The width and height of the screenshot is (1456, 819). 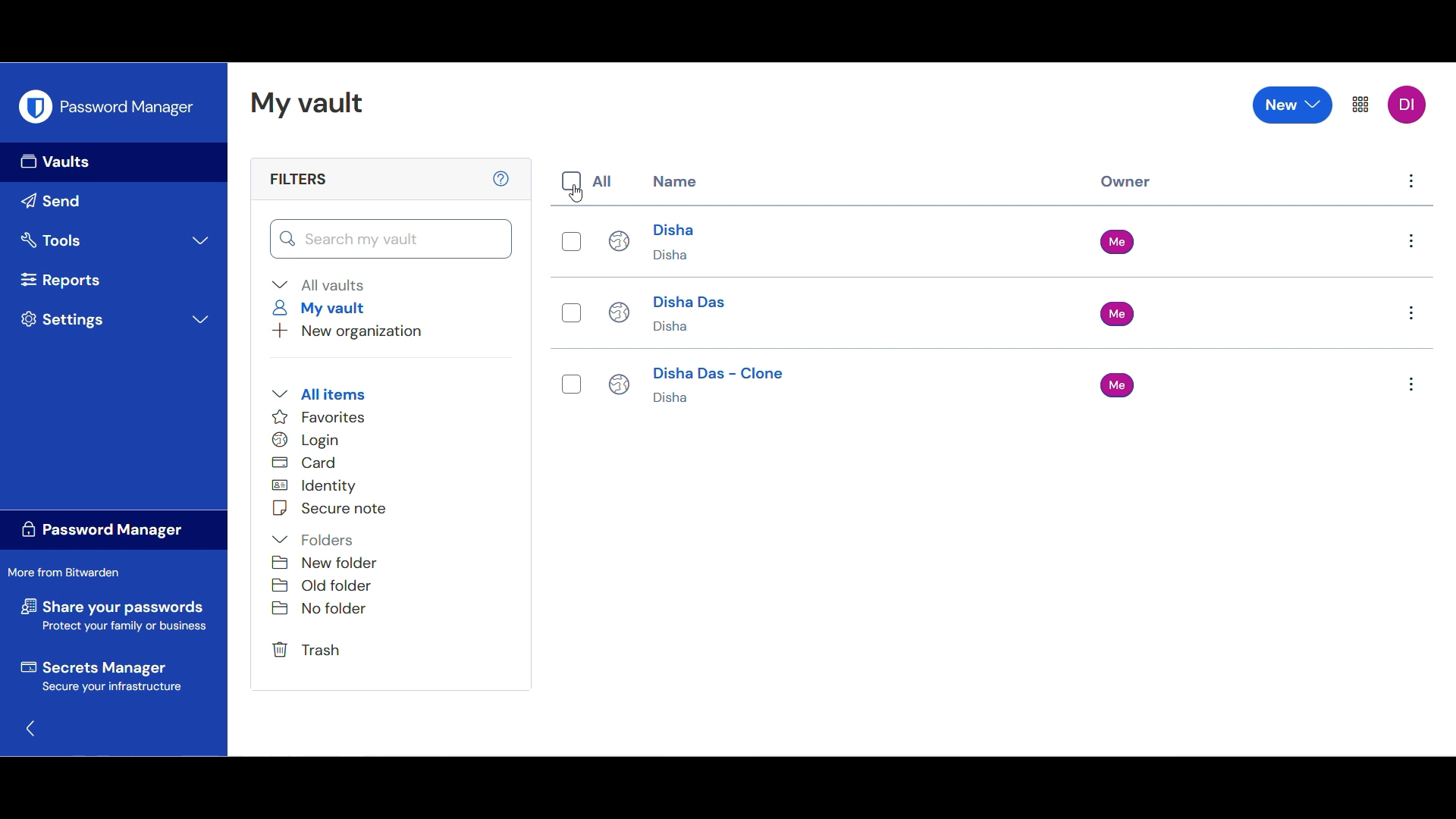 I want to click on Disha Das     Disha, so click(x=667, y=314).